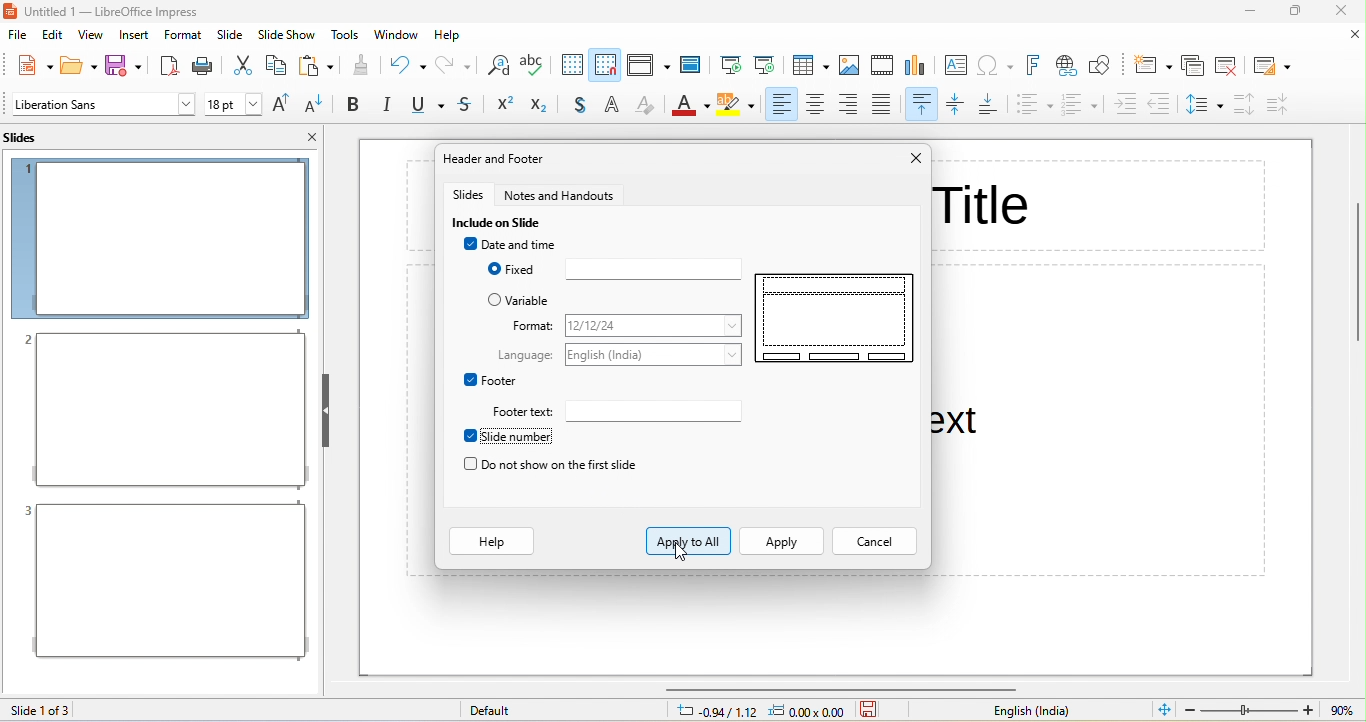 Image resolution: width=1366 pixels, height=722 pixels. What do you see at coordinates (689, 540) in the screenshot?
I see `apply to all` at bounding box center [689, 540].